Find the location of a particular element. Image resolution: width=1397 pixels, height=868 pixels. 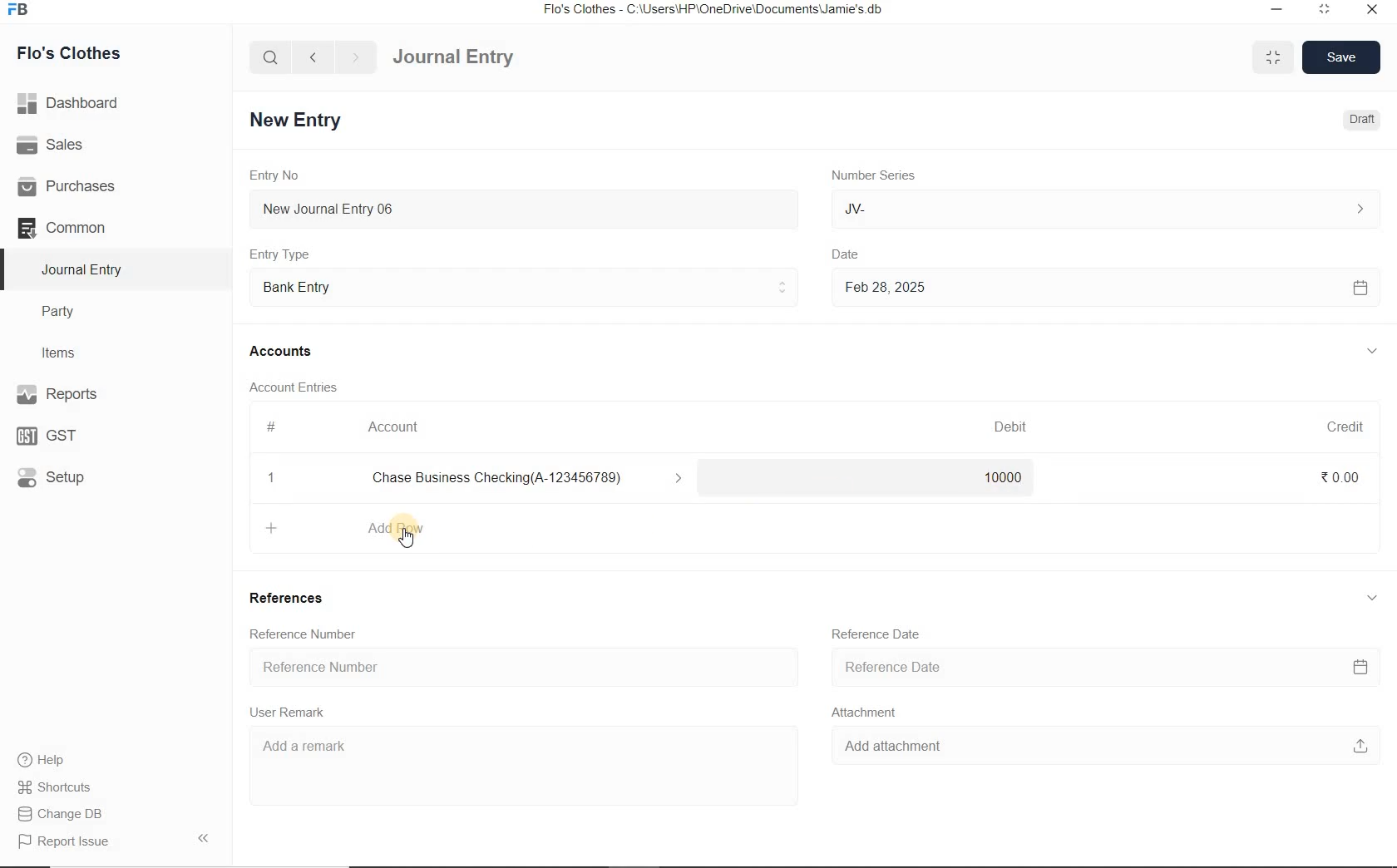

Shortcuts is located at coordinates (55, 784).